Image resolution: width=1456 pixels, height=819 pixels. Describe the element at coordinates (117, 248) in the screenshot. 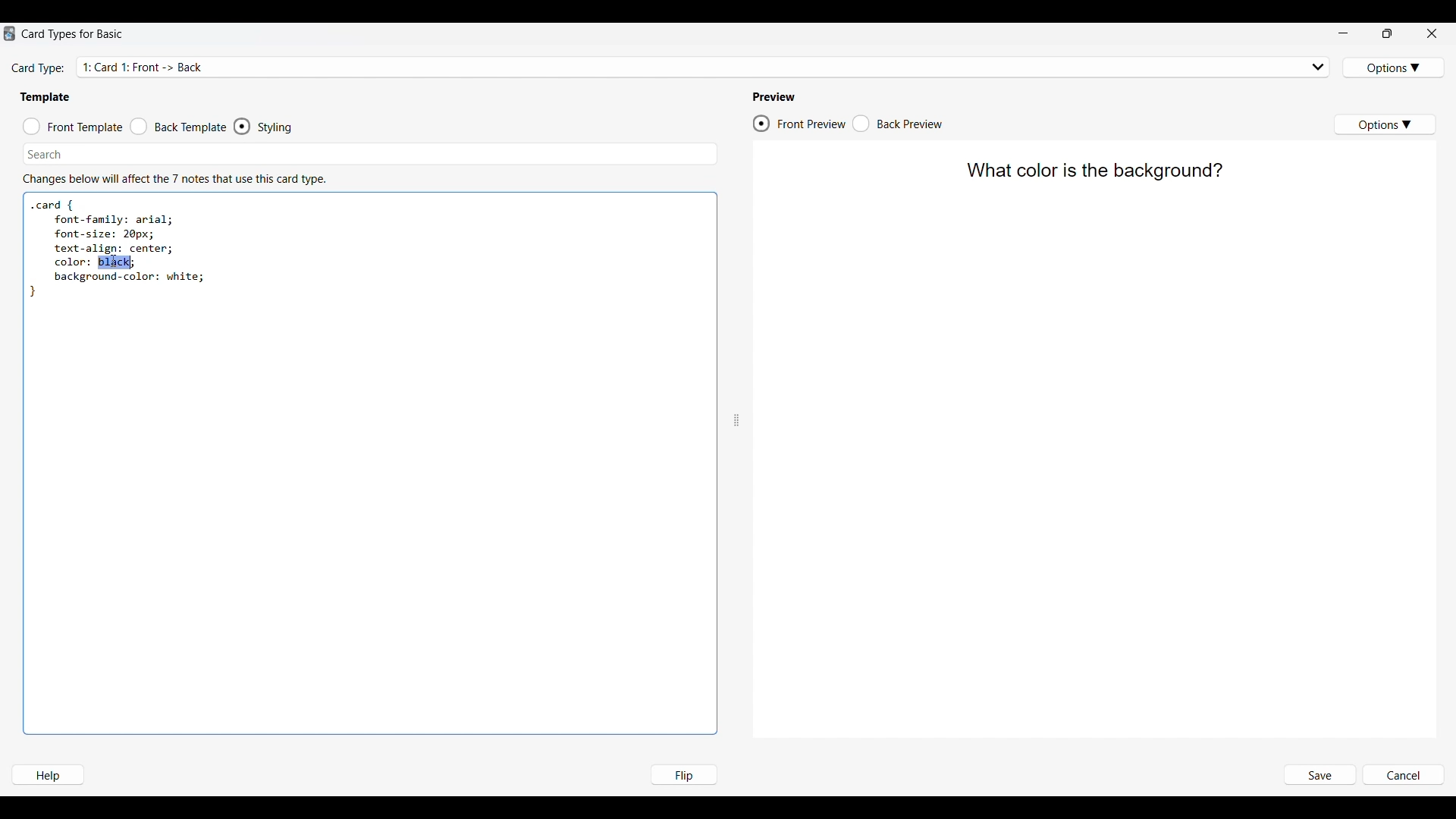

I see `HTML text in card Styling` at that location.